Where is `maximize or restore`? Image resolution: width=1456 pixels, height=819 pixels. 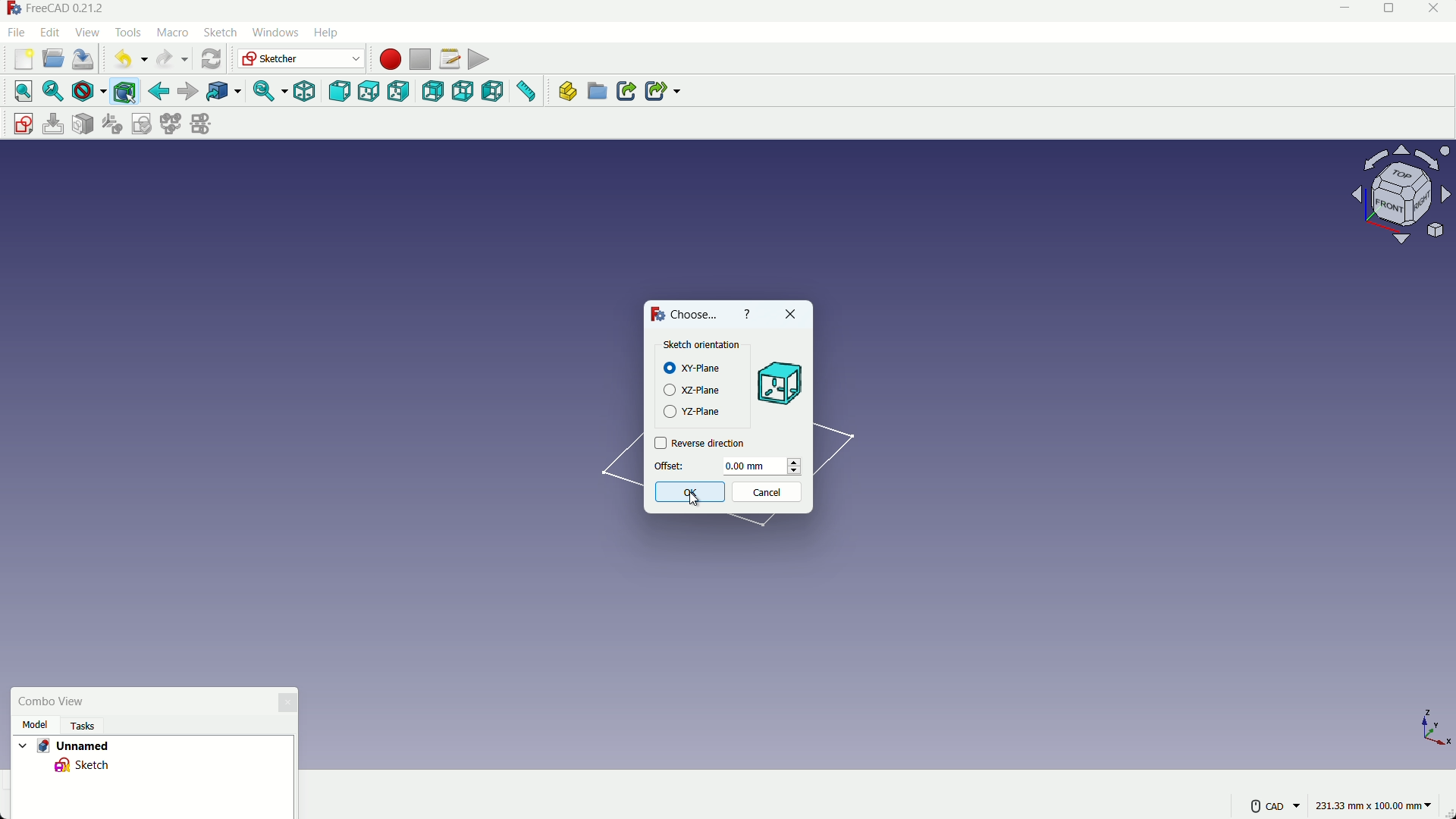
maximize or restore is located at coordinates (1391, 11).